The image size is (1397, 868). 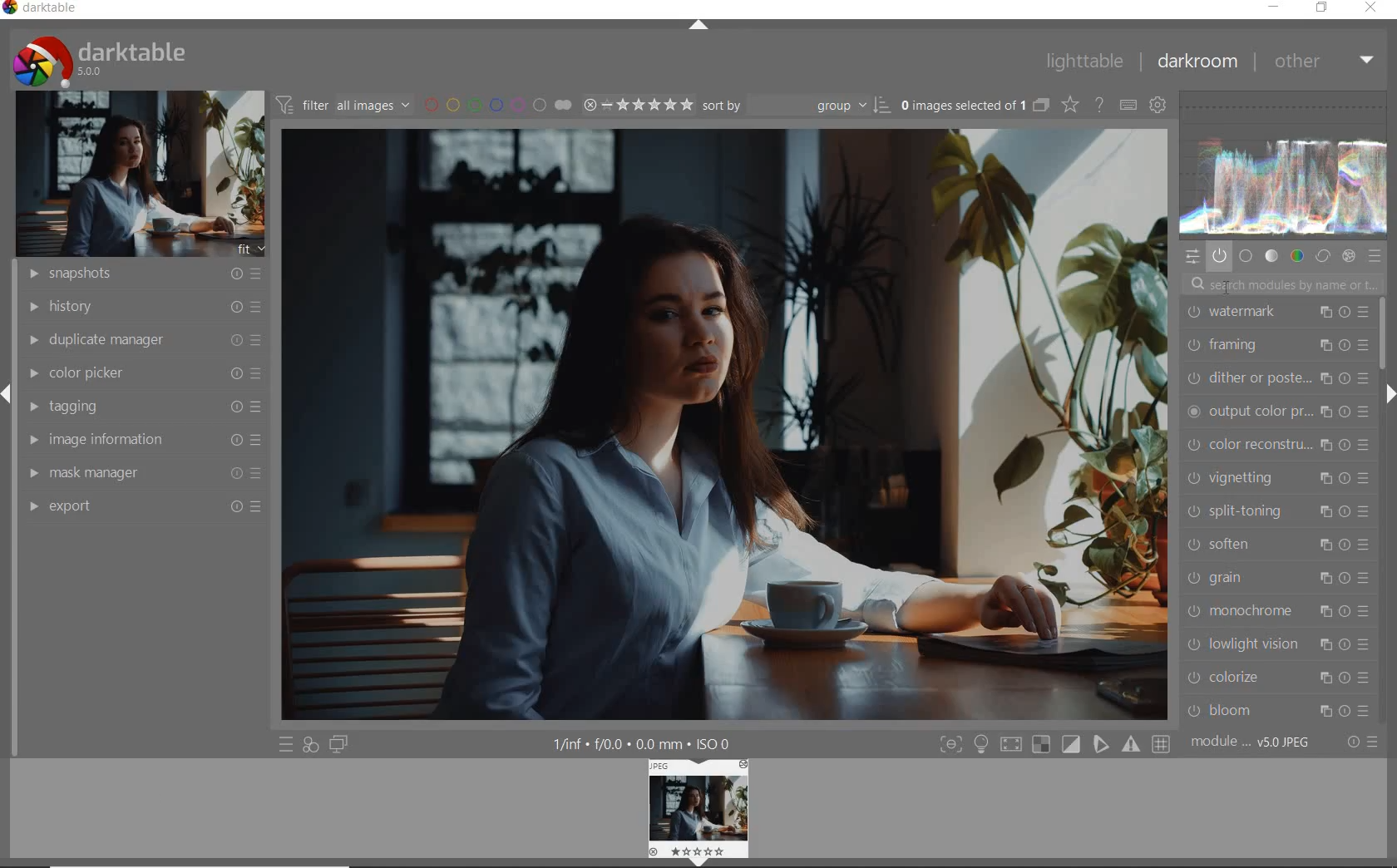 I want to click on dither or paste, so click(x=1276, y=377).